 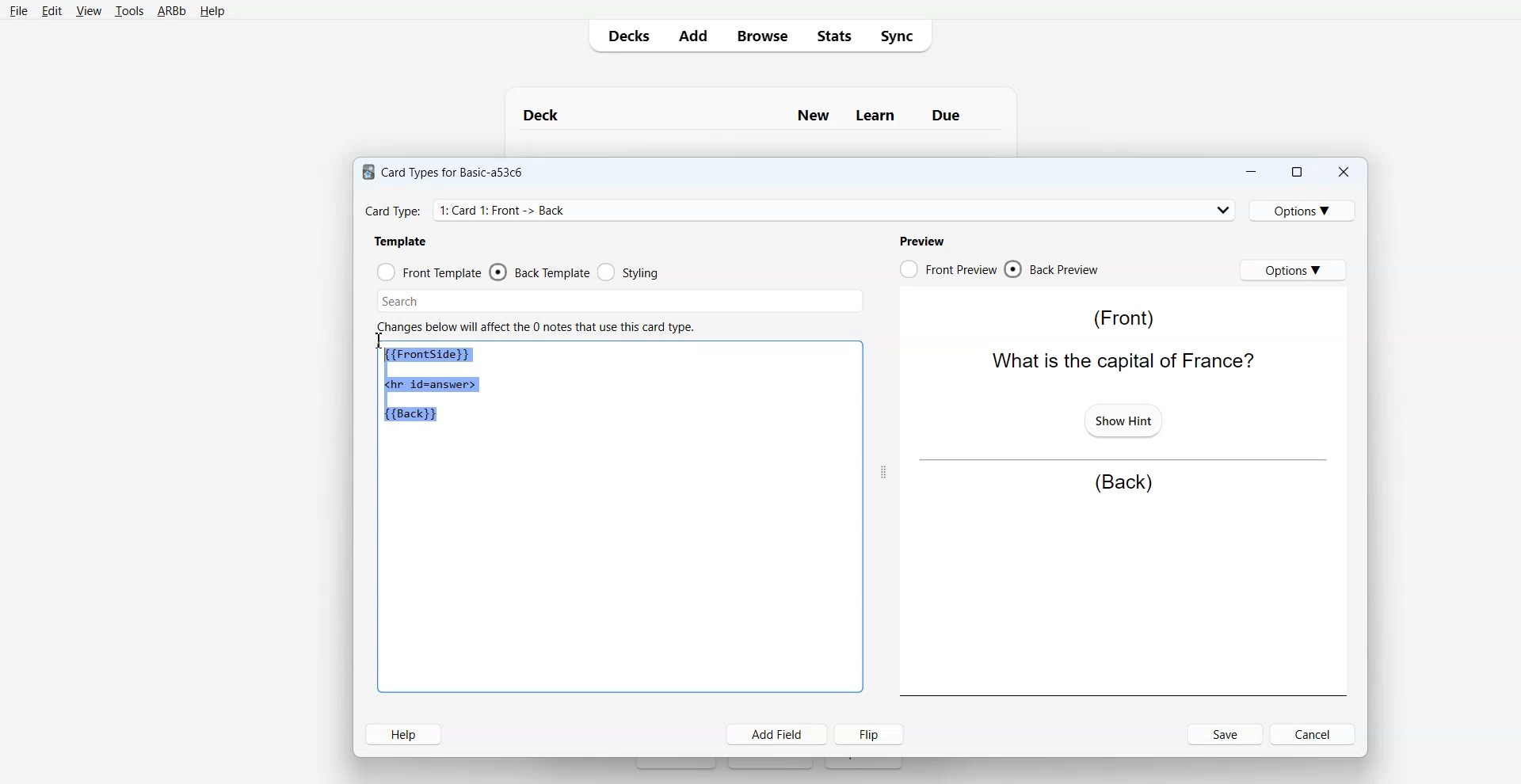 What do you see at coordinates (403, 734) in the screenshot?
I see `Help` at bounding box center [403, 734].